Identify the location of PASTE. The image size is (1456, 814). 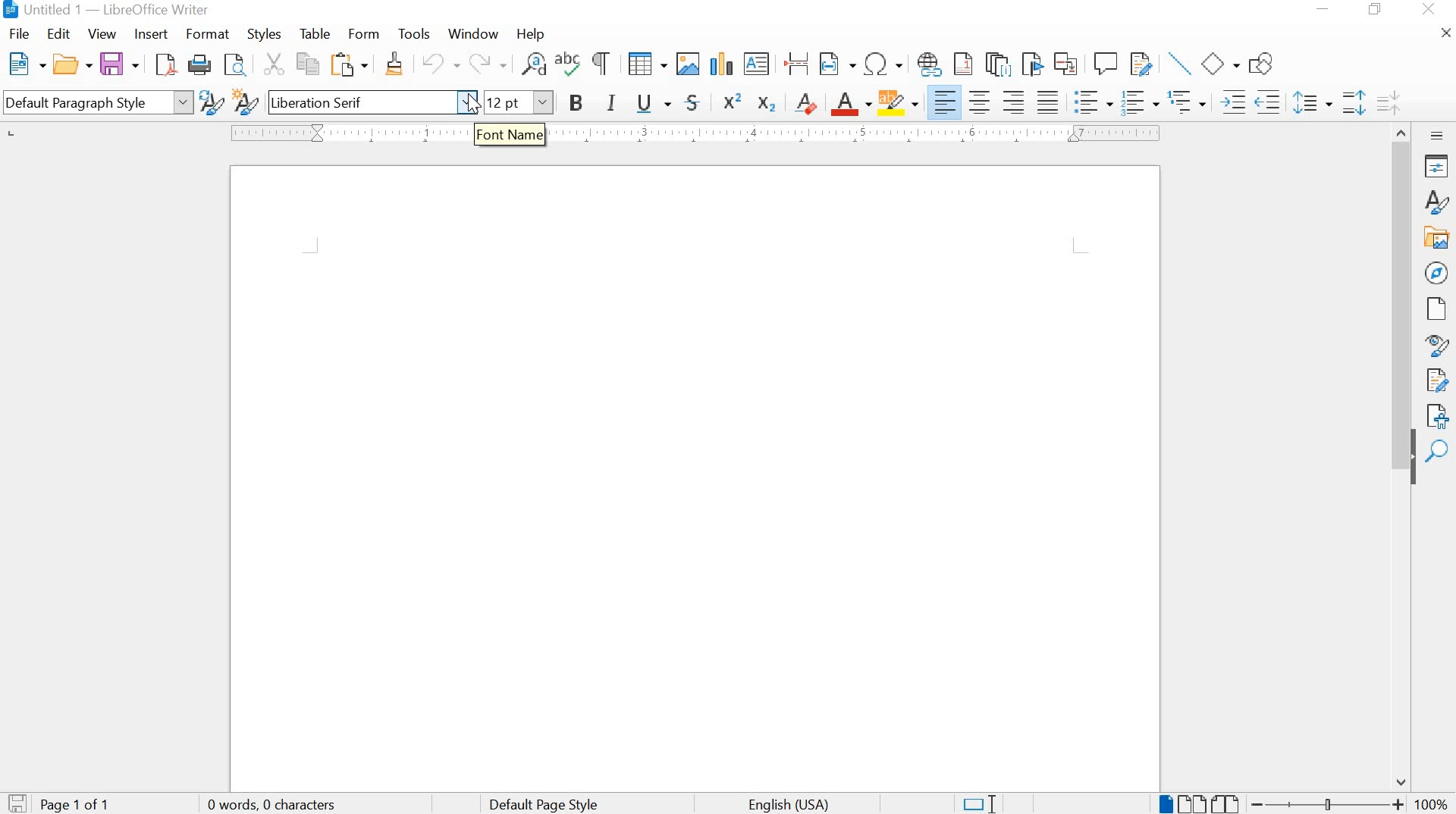
(350, 64).